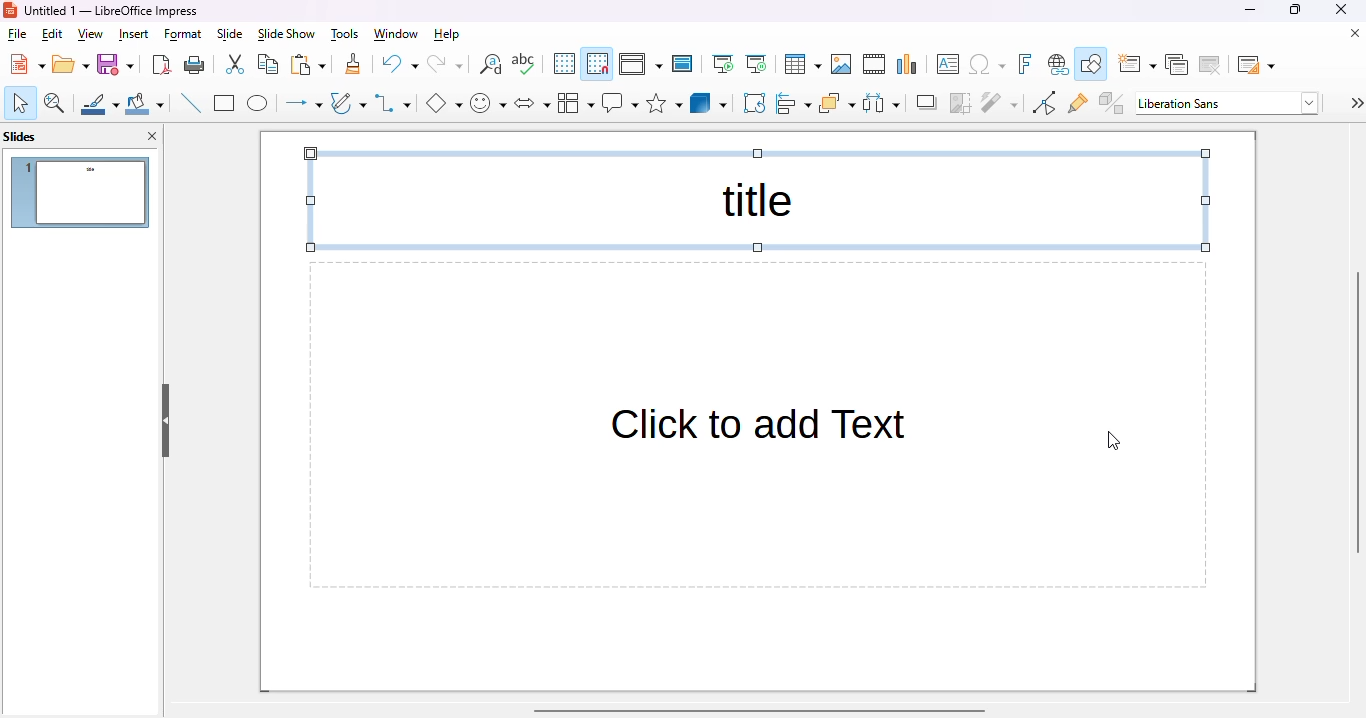 The height and width of the screenshot is (718, 1366). I want to click on select at least three objects to distribute, so click(881, 103).